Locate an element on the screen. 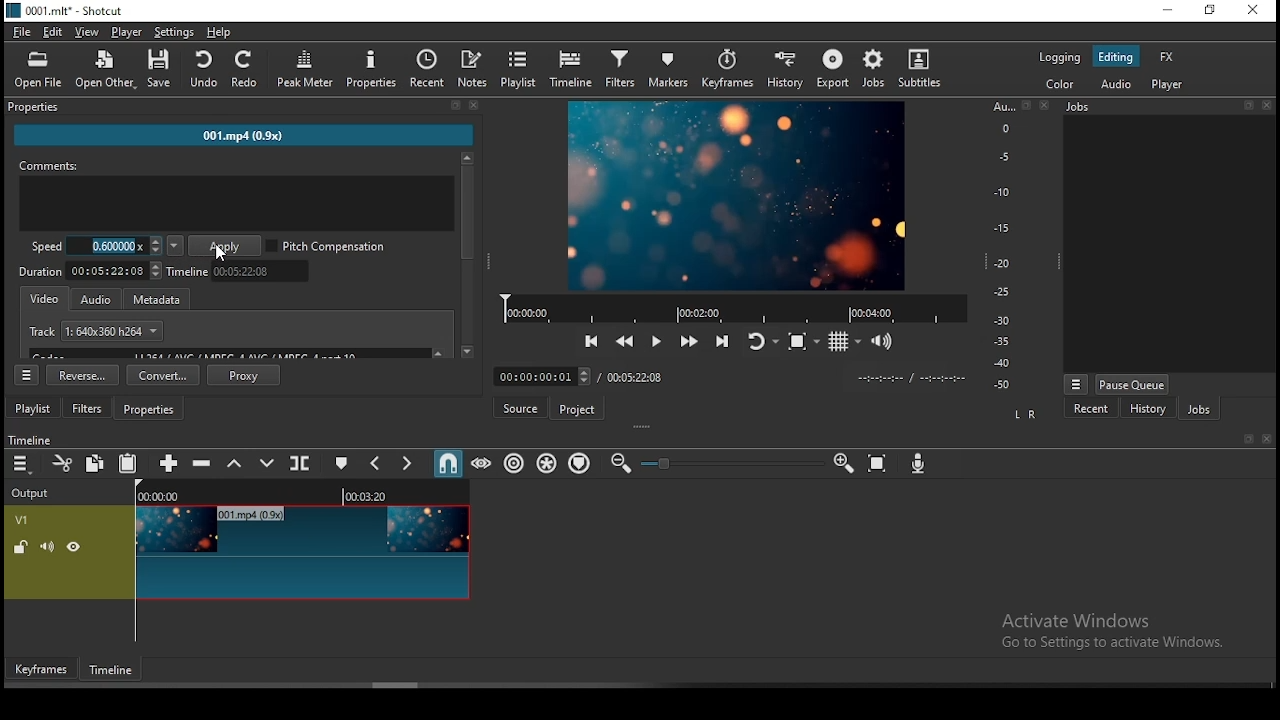 Image resolution: width=1280 pixels, height=720 pixels. subtitles is located at coordinates (919, 68).